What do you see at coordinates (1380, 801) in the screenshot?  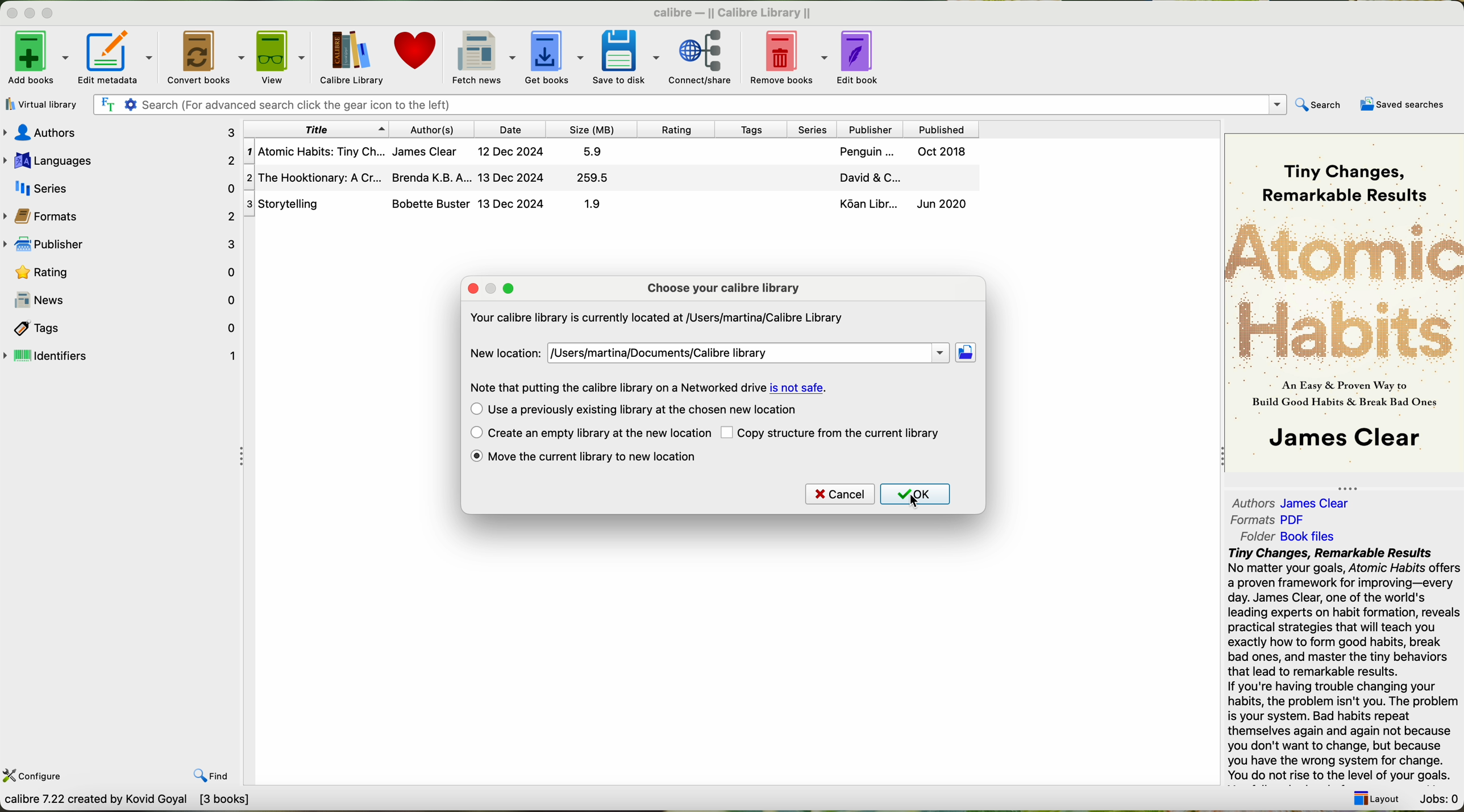 I see `layout` at bounding box center [1380, 801].